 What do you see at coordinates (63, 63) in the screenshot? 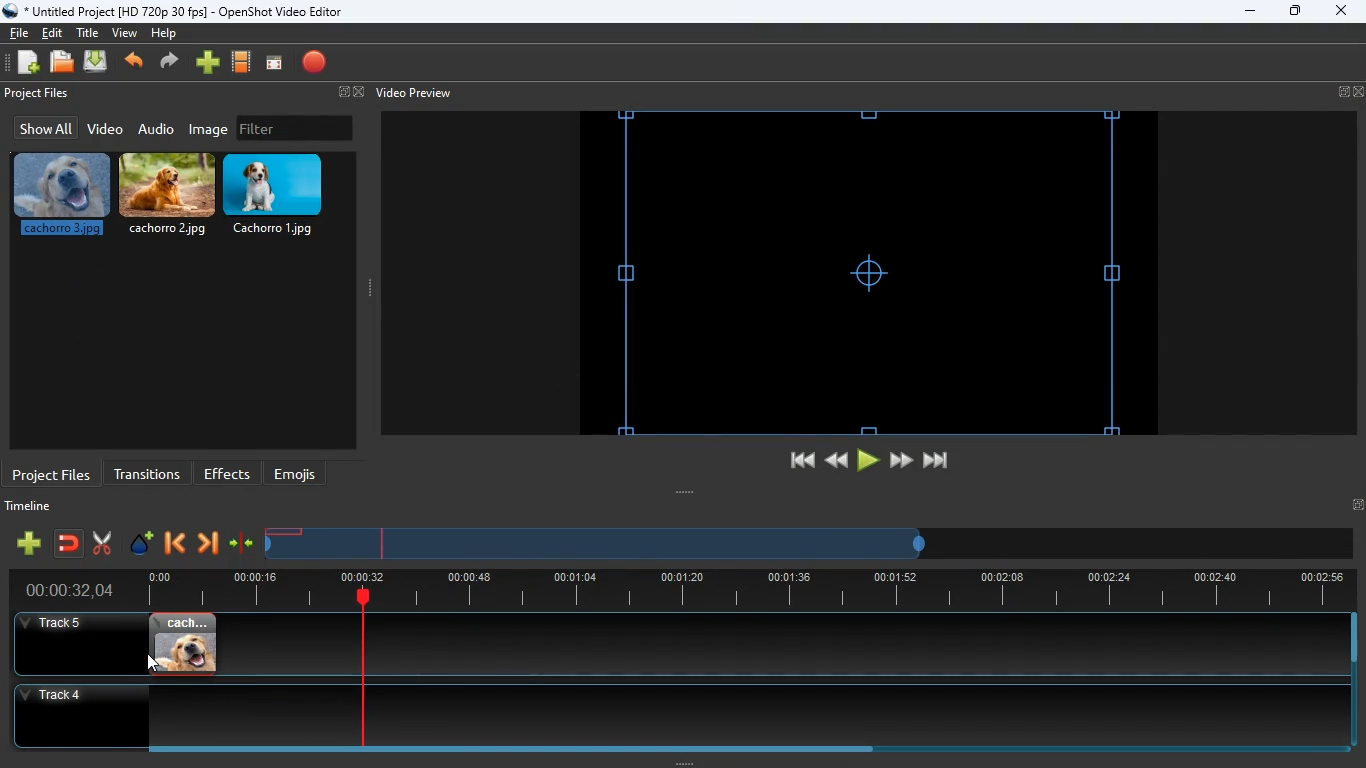
I see `files` at bounding box center [63, 63].